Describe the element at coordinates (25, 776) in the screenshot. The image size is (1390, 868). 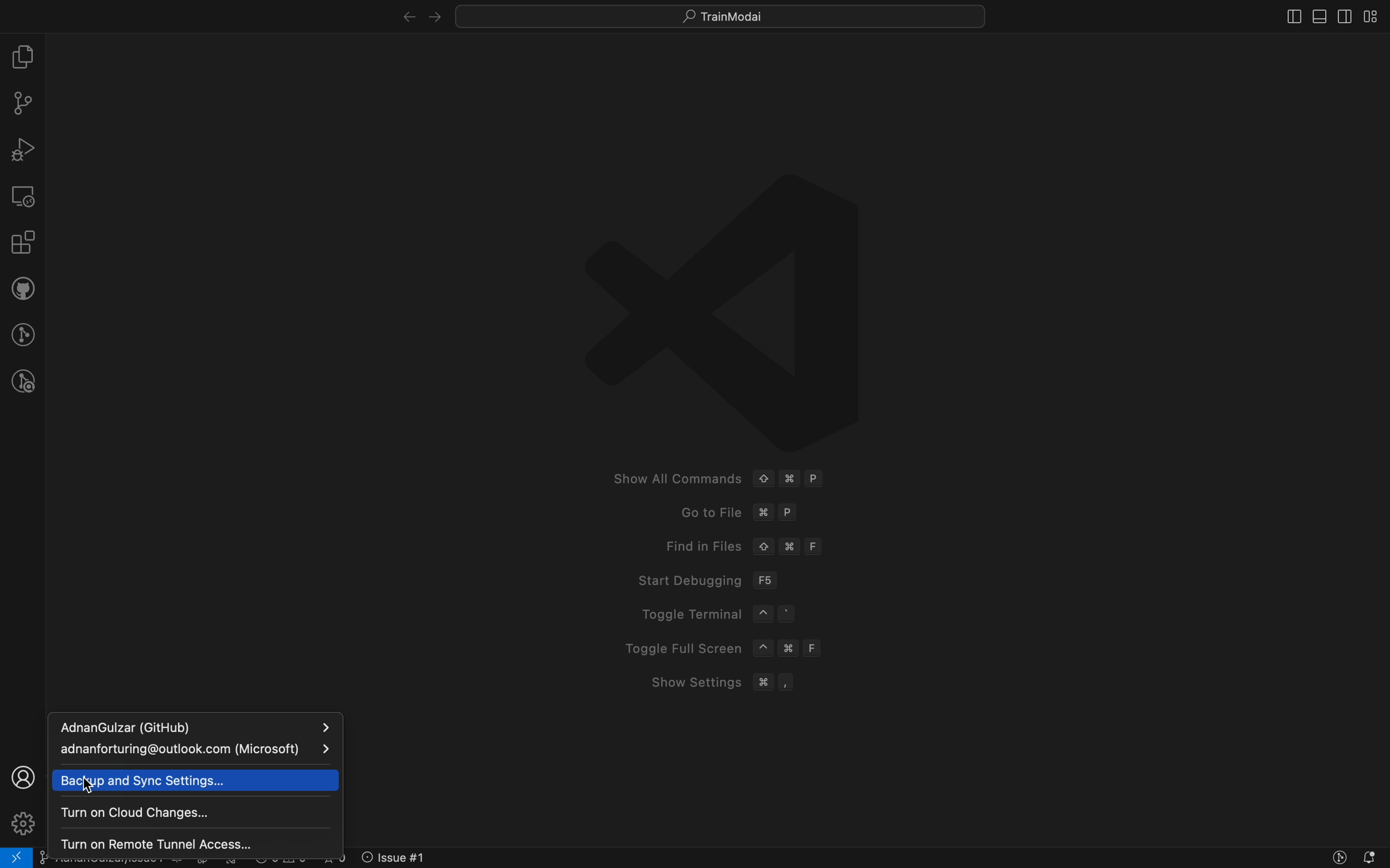
I see `profile` at that location.